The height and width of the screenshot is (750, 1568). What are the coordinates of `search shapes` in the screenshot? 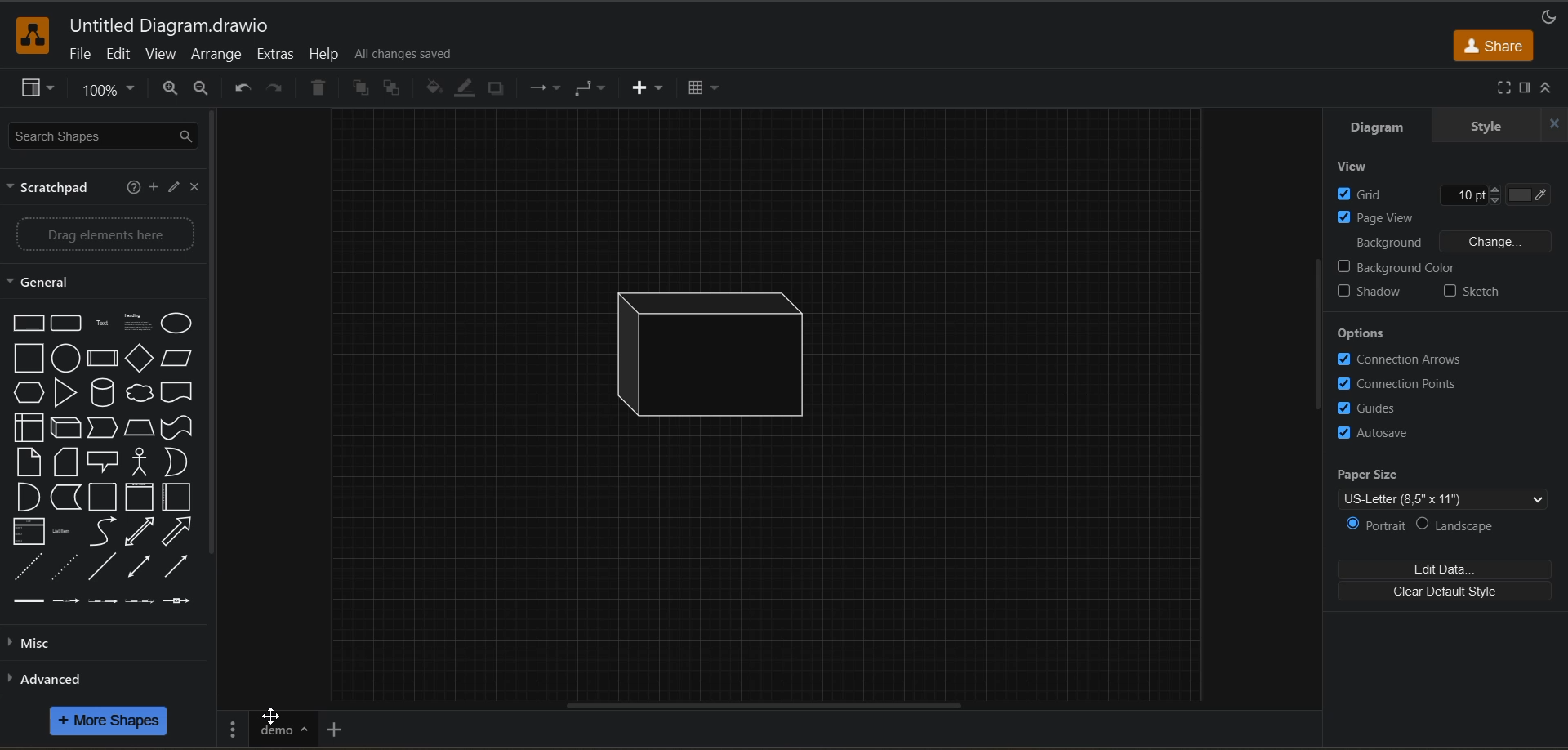 It's located at (97, 136).